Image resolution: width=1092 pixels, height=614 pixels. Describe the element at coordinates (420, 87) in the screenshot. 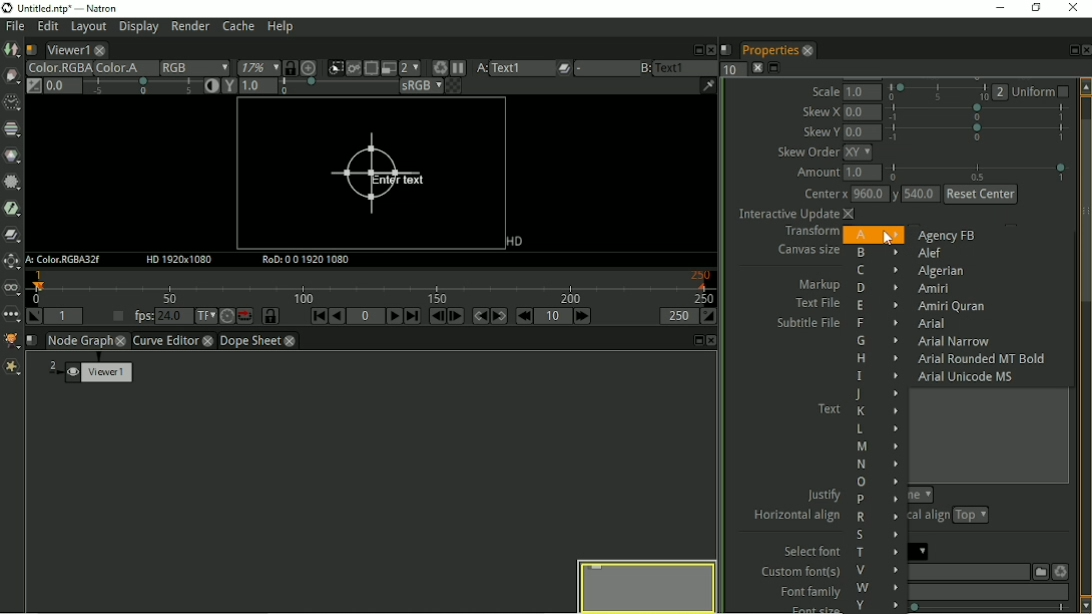

I see `sRGB` at that location.